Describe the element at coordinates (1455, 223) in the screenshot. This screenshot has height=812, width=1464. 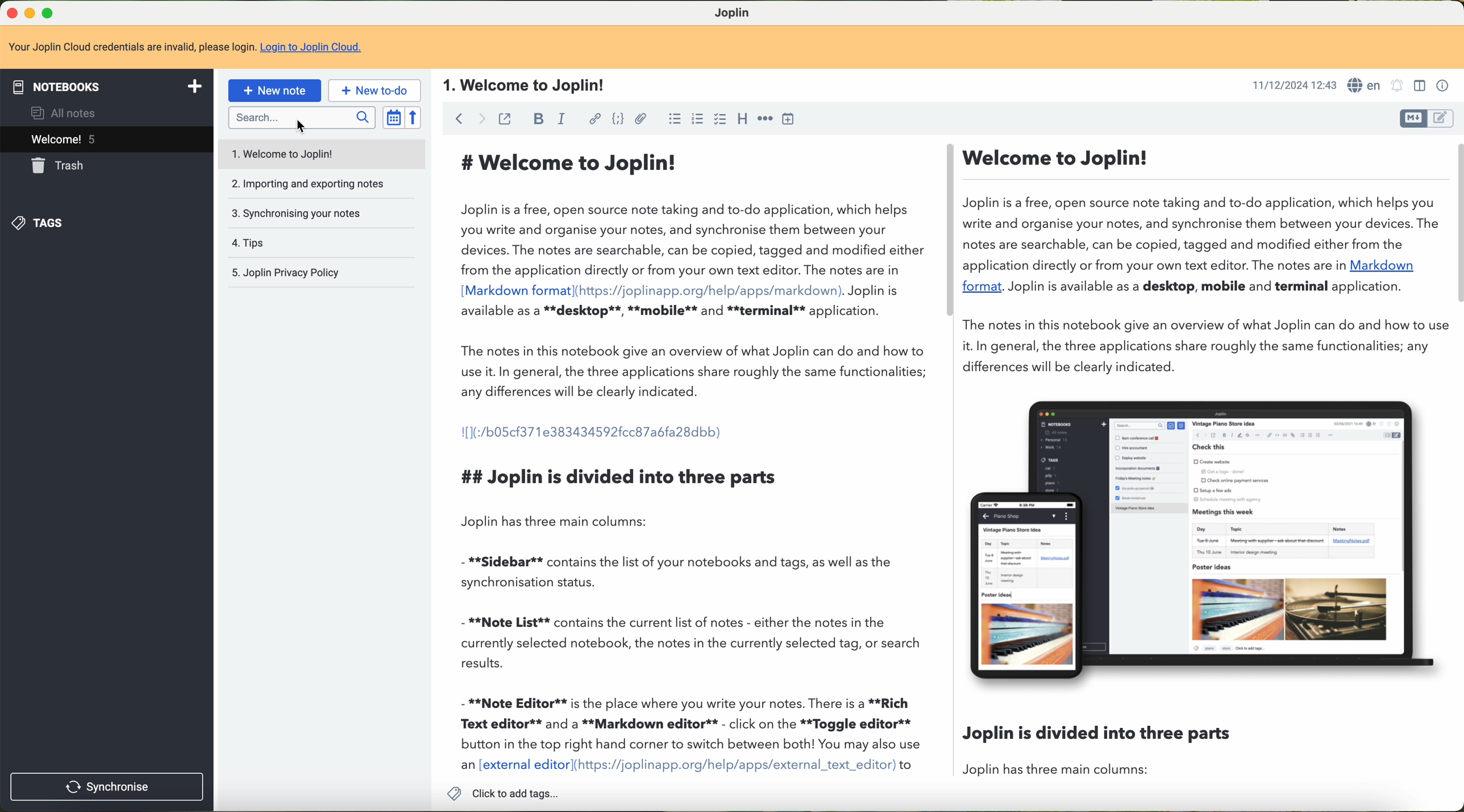
I see `scroll bar` at that location.